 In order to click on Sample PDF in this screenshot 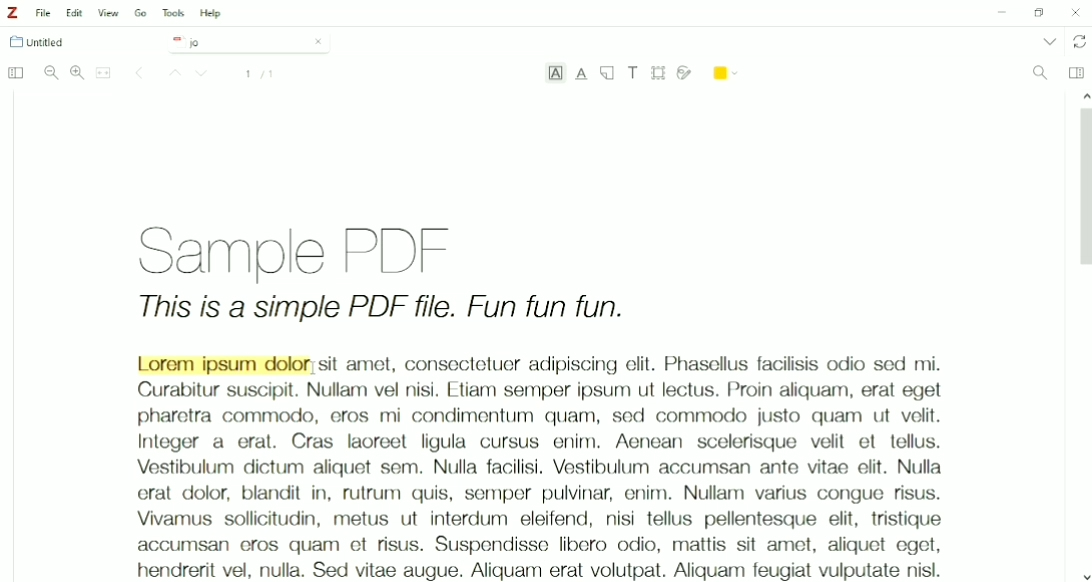, I will do `click(318, 248)`.